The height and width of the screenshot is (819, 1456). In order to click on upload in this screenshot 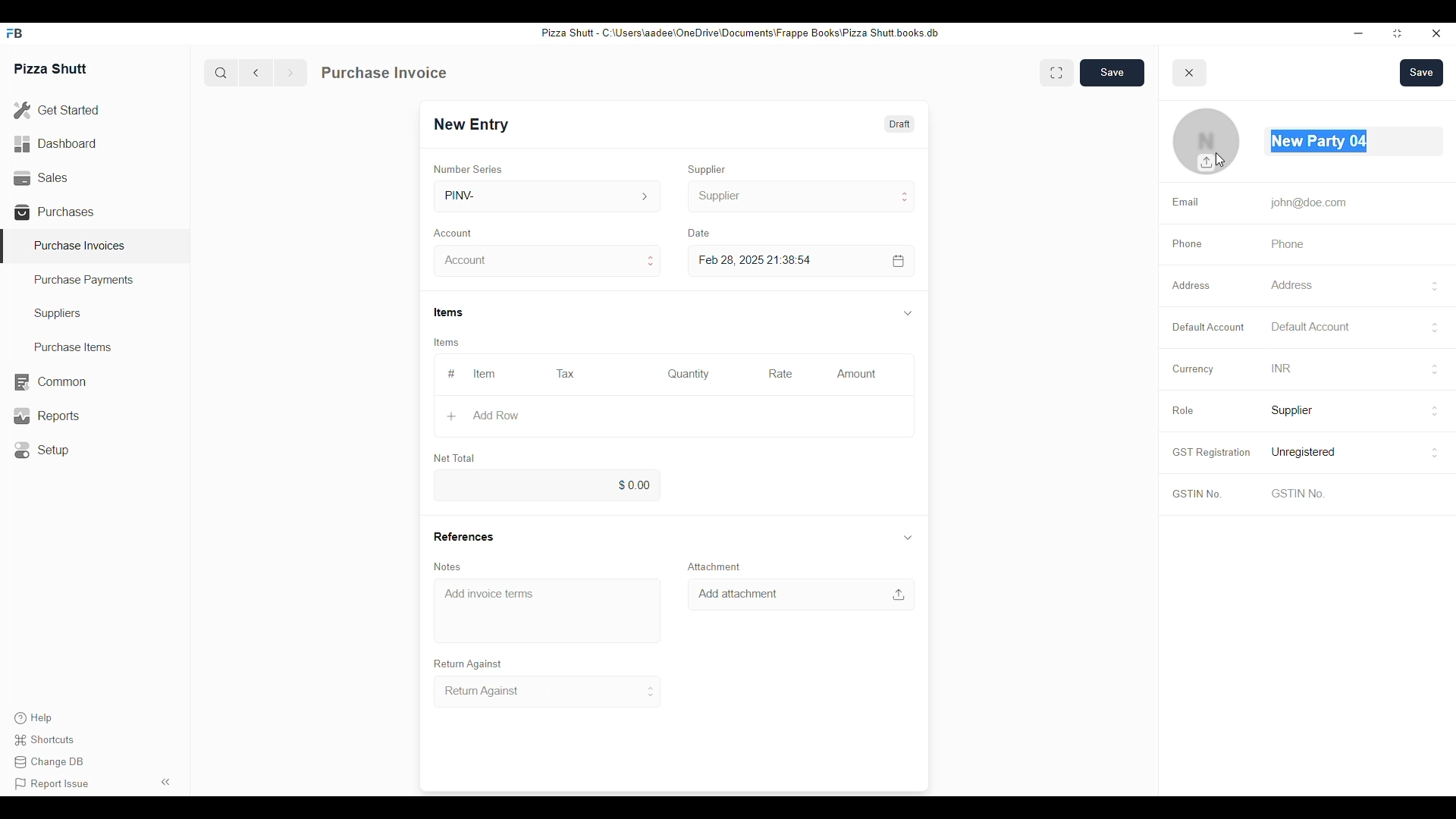, I will do `click(898, 595)`.